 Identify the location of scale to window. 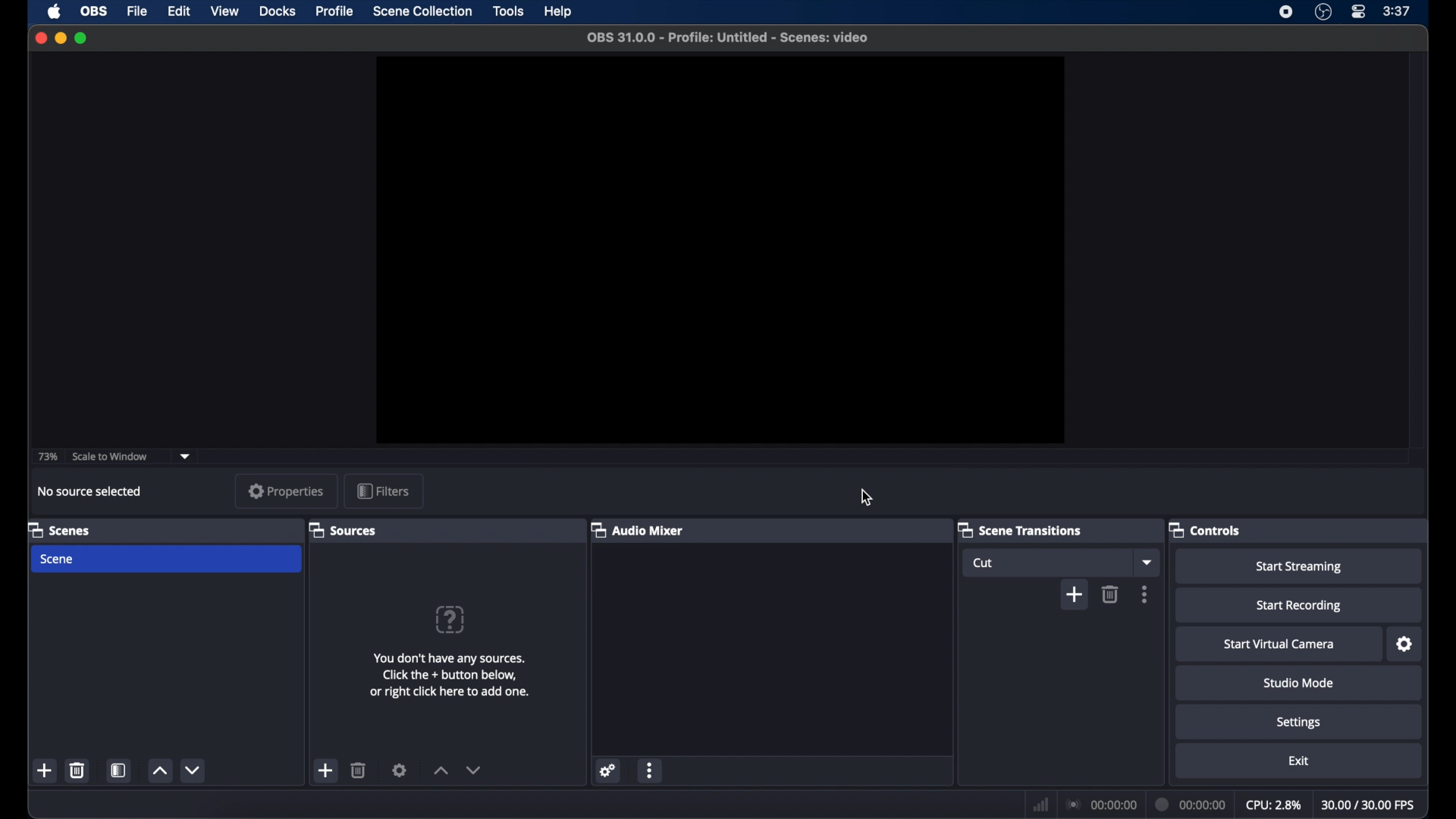
(111, 457).